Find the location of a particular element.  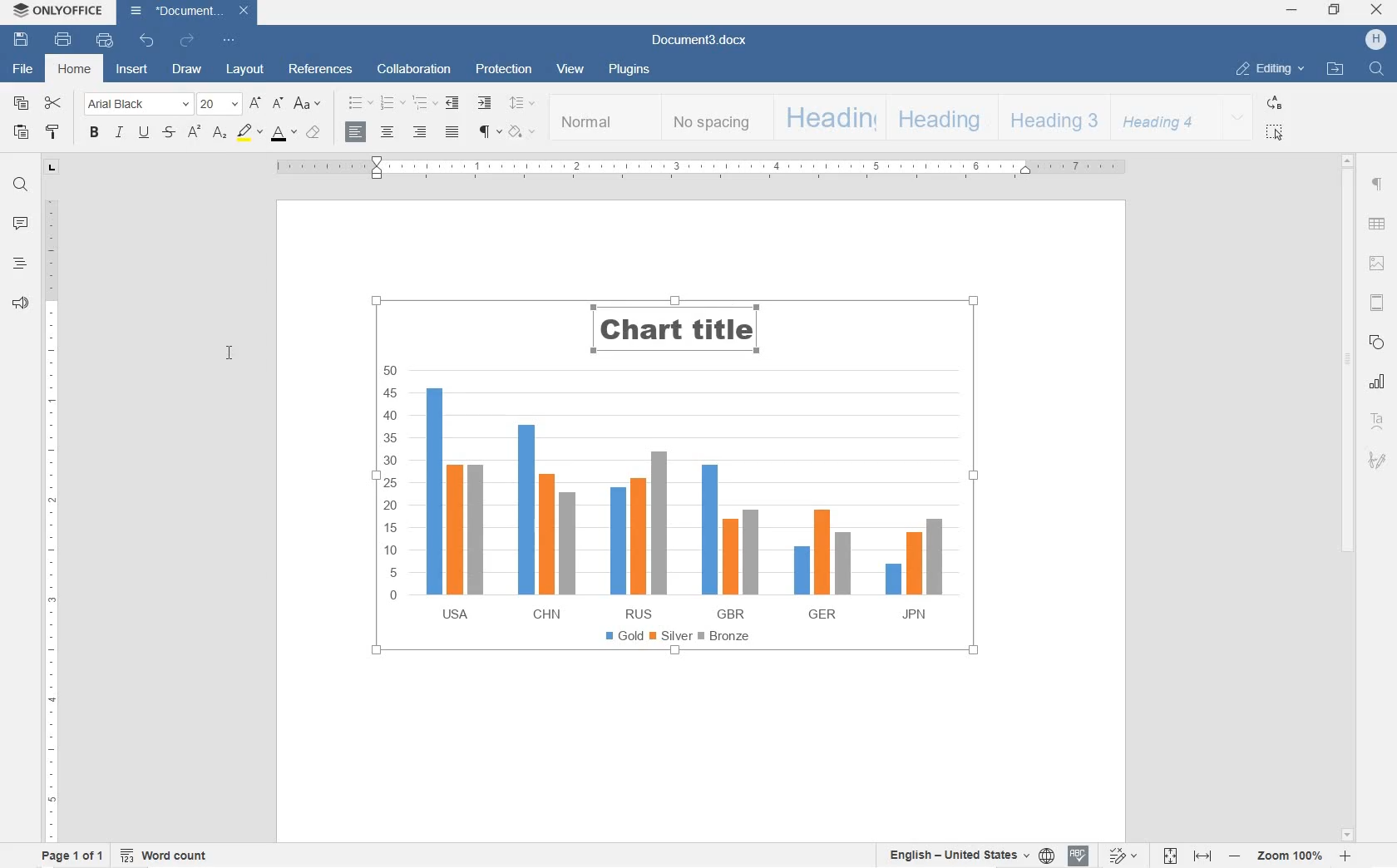

PLUGINS is located at coordinates (628, 70).